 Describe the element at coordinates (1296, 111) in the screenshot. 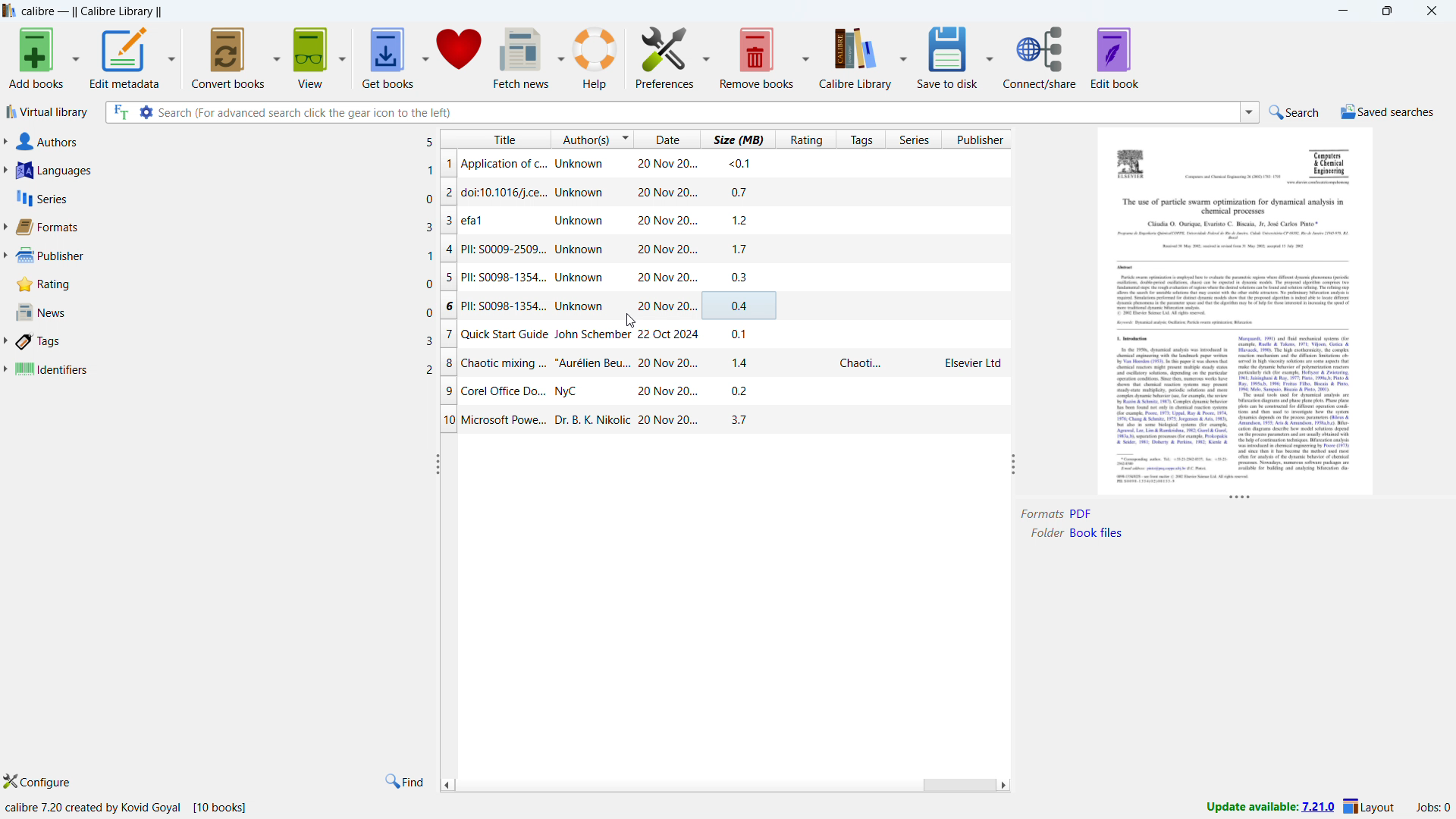

I see `do quick search` at that location.